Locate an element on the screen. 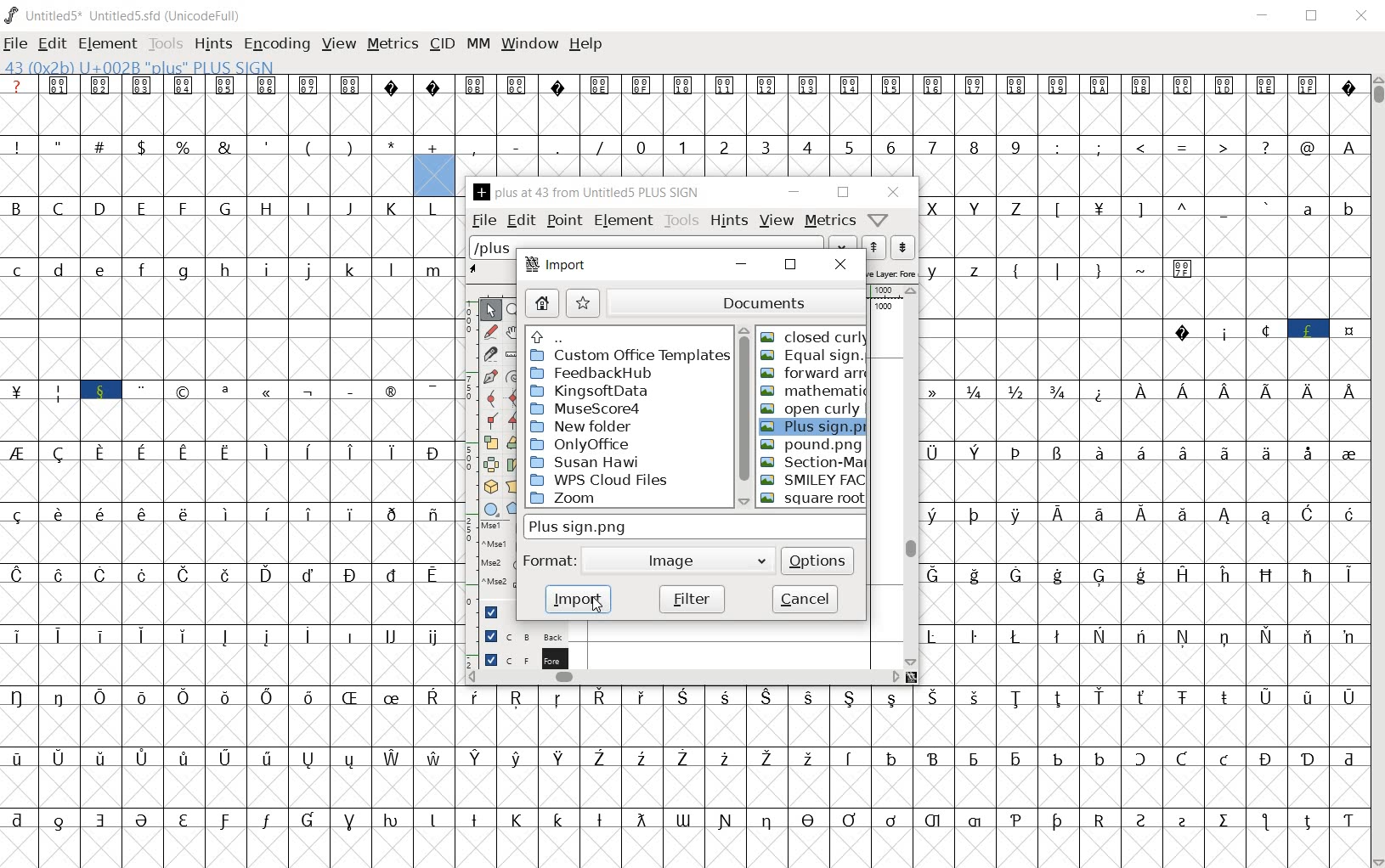 This screenshot has width=1385, height=868. sECTION-MARK is located at coordinates (815, 461).